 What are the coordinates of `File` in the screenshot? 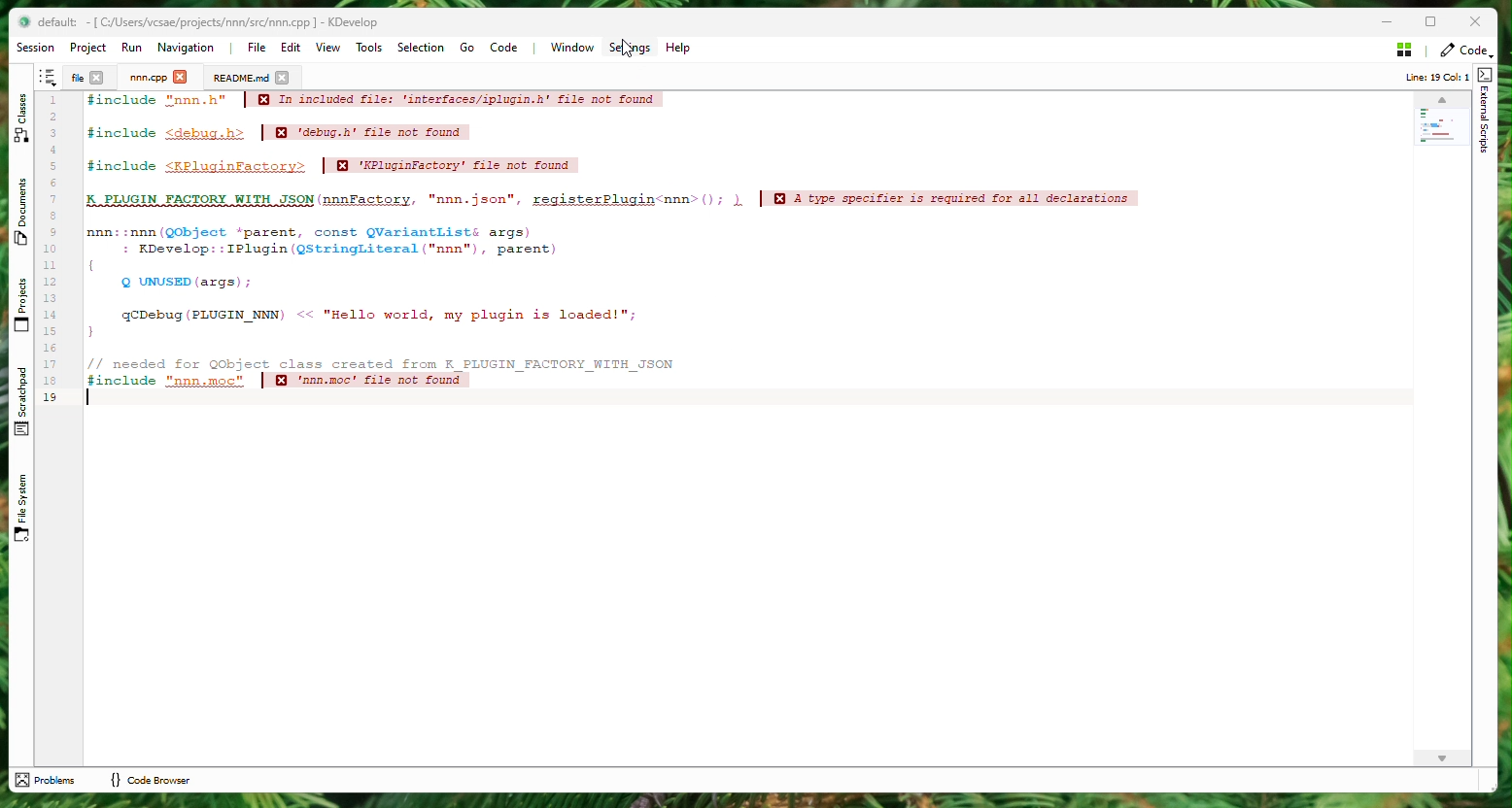 It's located at (257, 48).